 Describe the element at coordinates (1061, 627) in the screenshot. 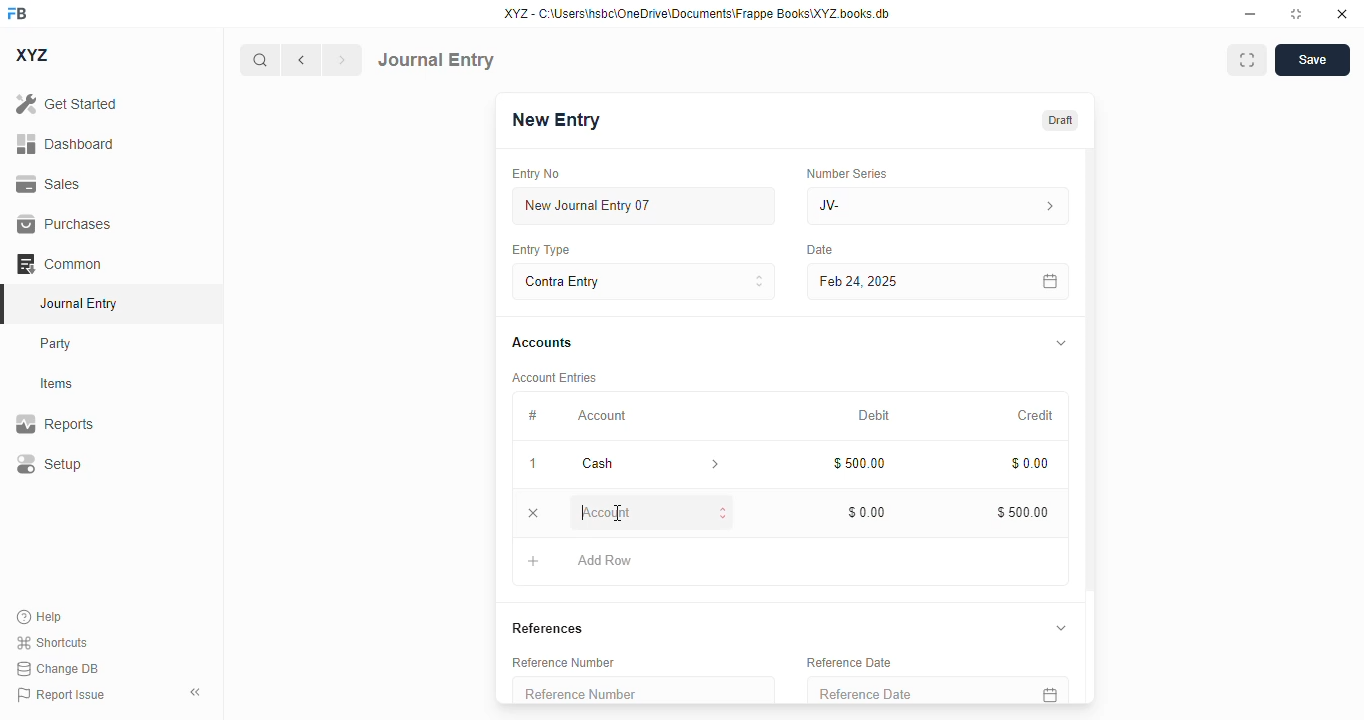

I see `toggle expand/collapse` at that location.